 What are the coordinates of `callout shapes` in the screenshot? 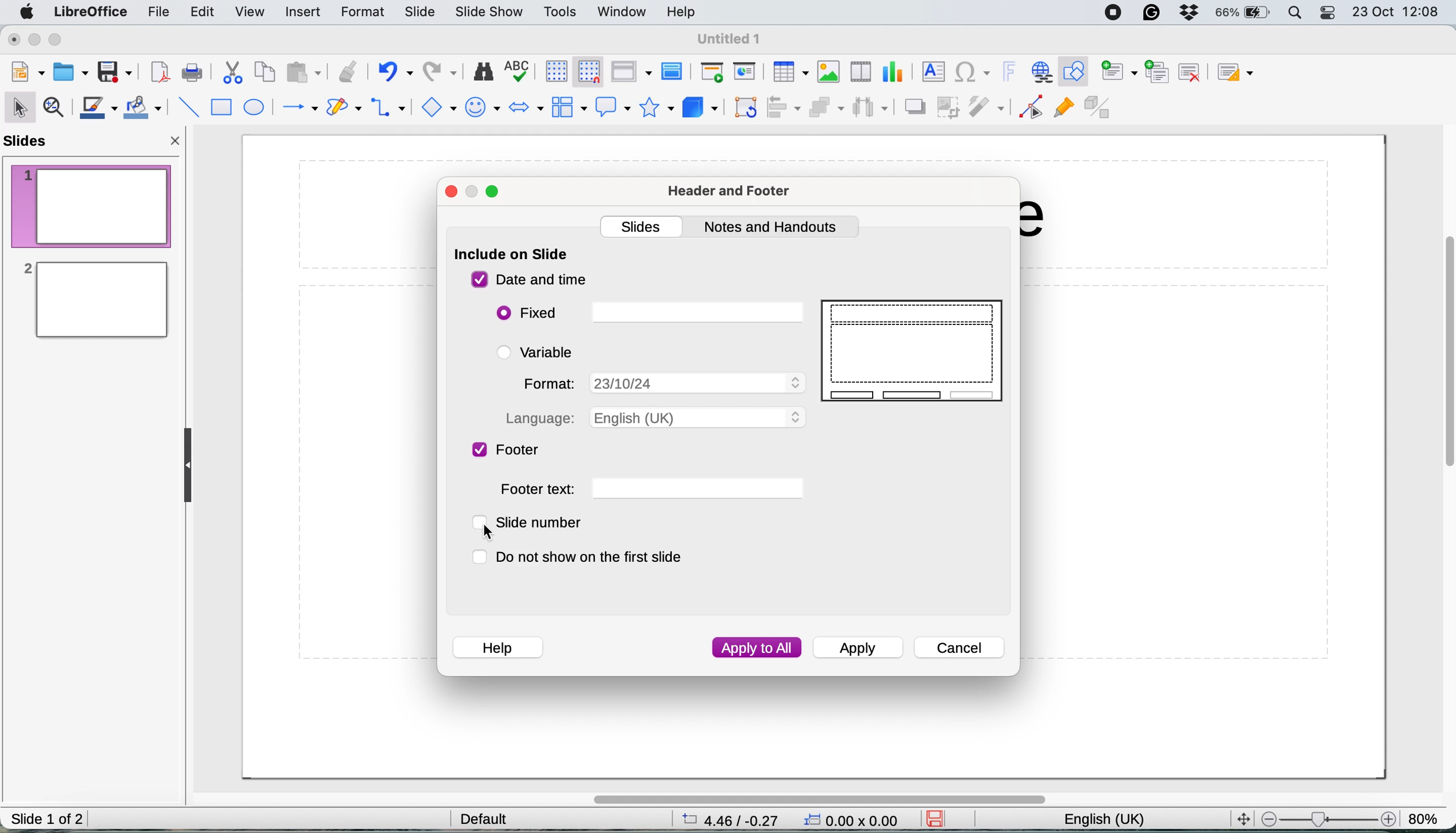 It's located at (609, 106).